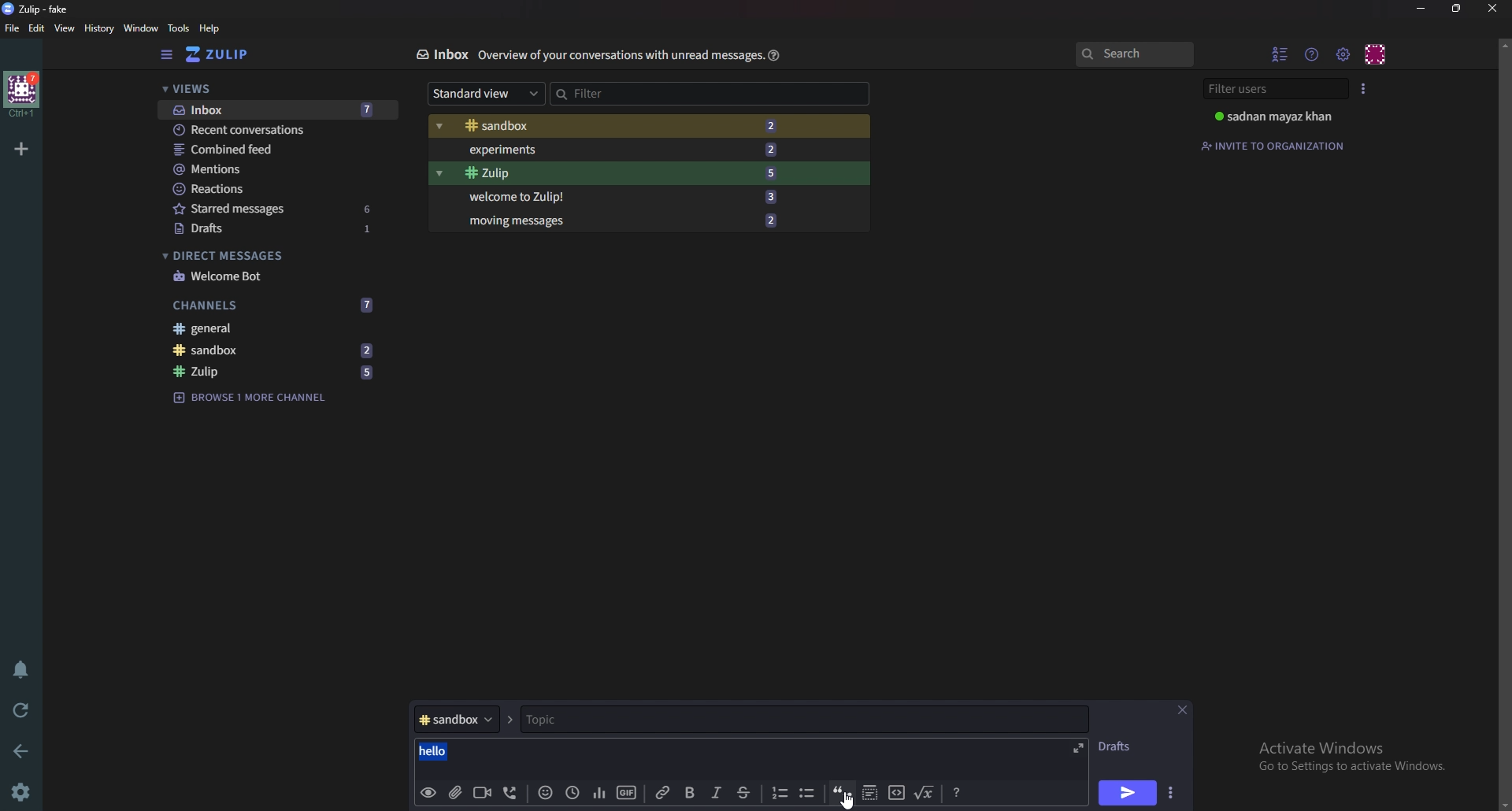 The height and width of the screenshot is (811, 1512). What do you see at coordinates (1377, 53) in the screenshot?
I see `Personal menu` at bounding box center [1377, 53].